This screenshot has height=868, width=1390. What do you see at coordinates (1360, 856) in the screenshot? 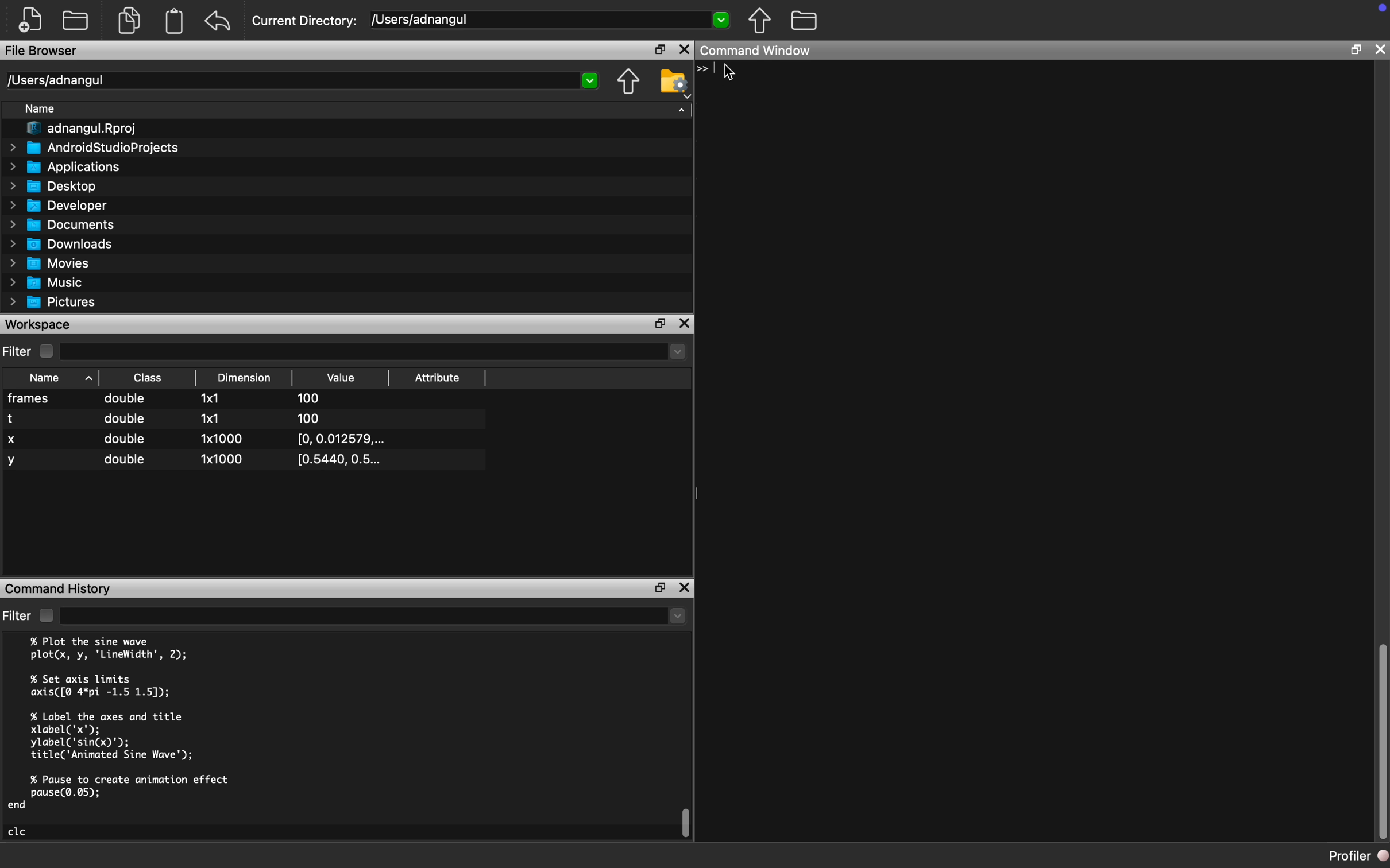
I see `Profiler` at bounding box center [1360, 856].